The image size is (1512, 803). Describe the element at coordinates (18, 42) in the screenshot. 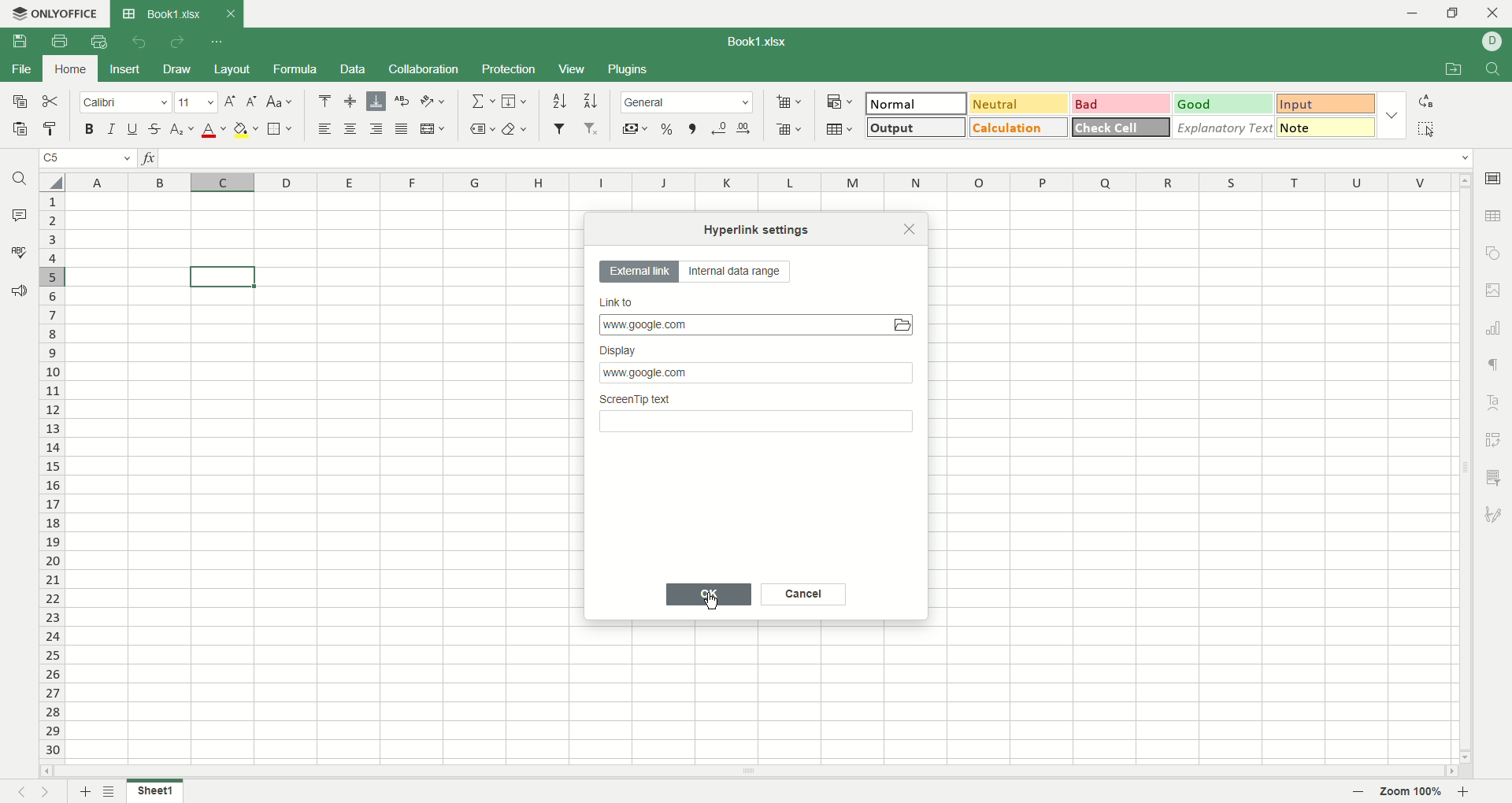

I see `save` at that location.